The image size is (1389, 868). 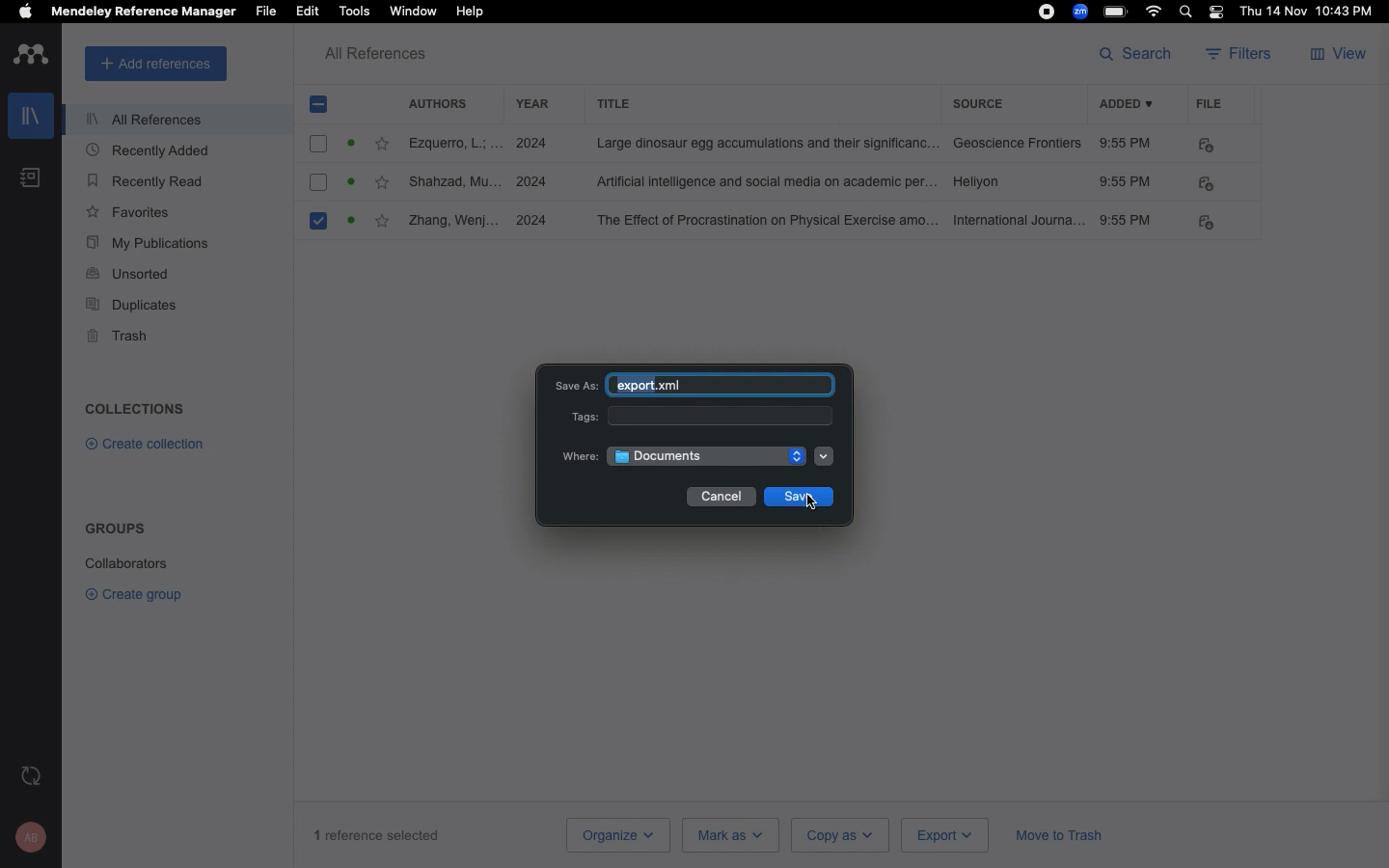 I want to click on Create group, so click(x=138, y=593).